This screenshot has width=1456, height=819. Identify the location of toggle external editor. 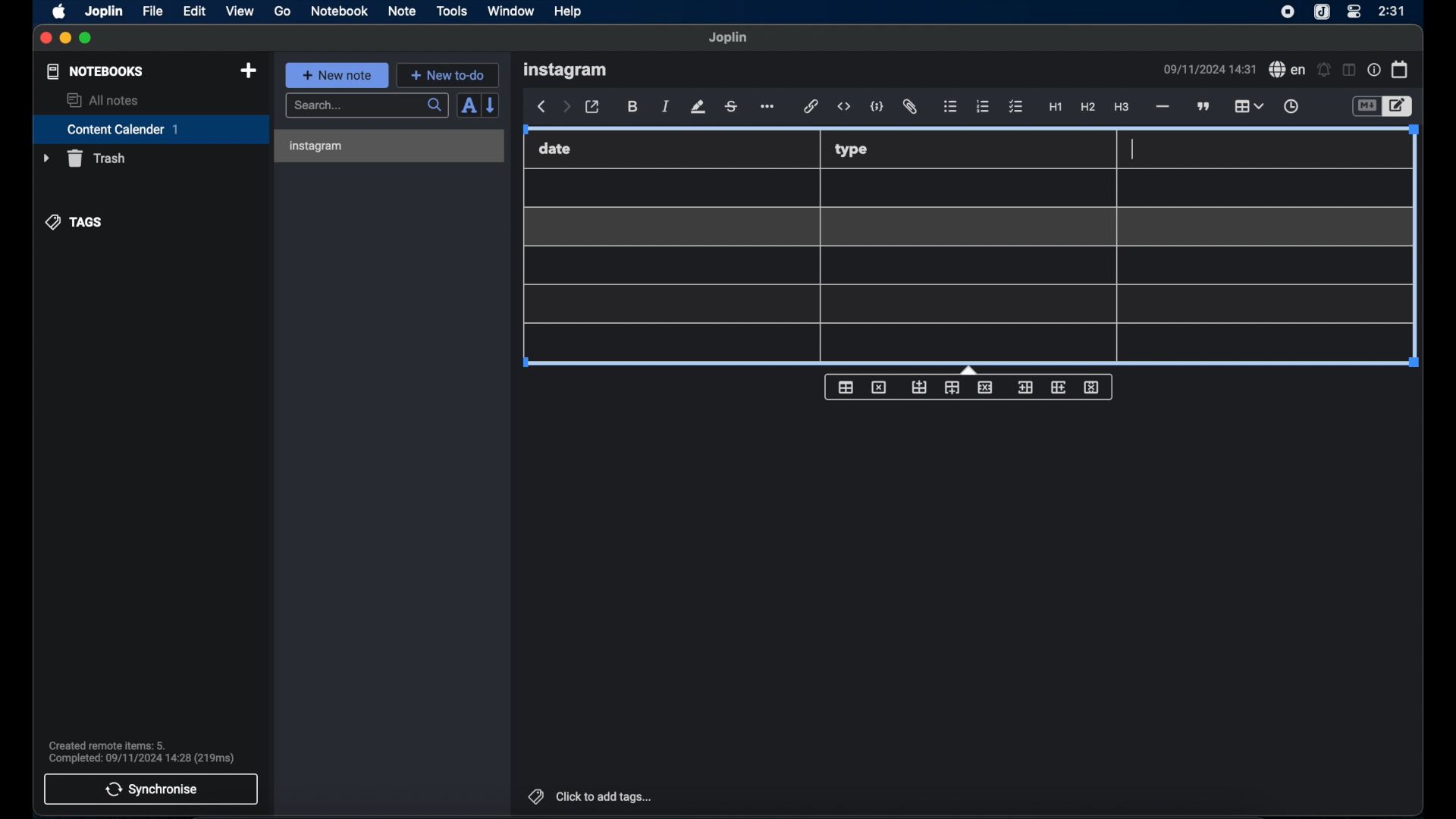
(592, 107).